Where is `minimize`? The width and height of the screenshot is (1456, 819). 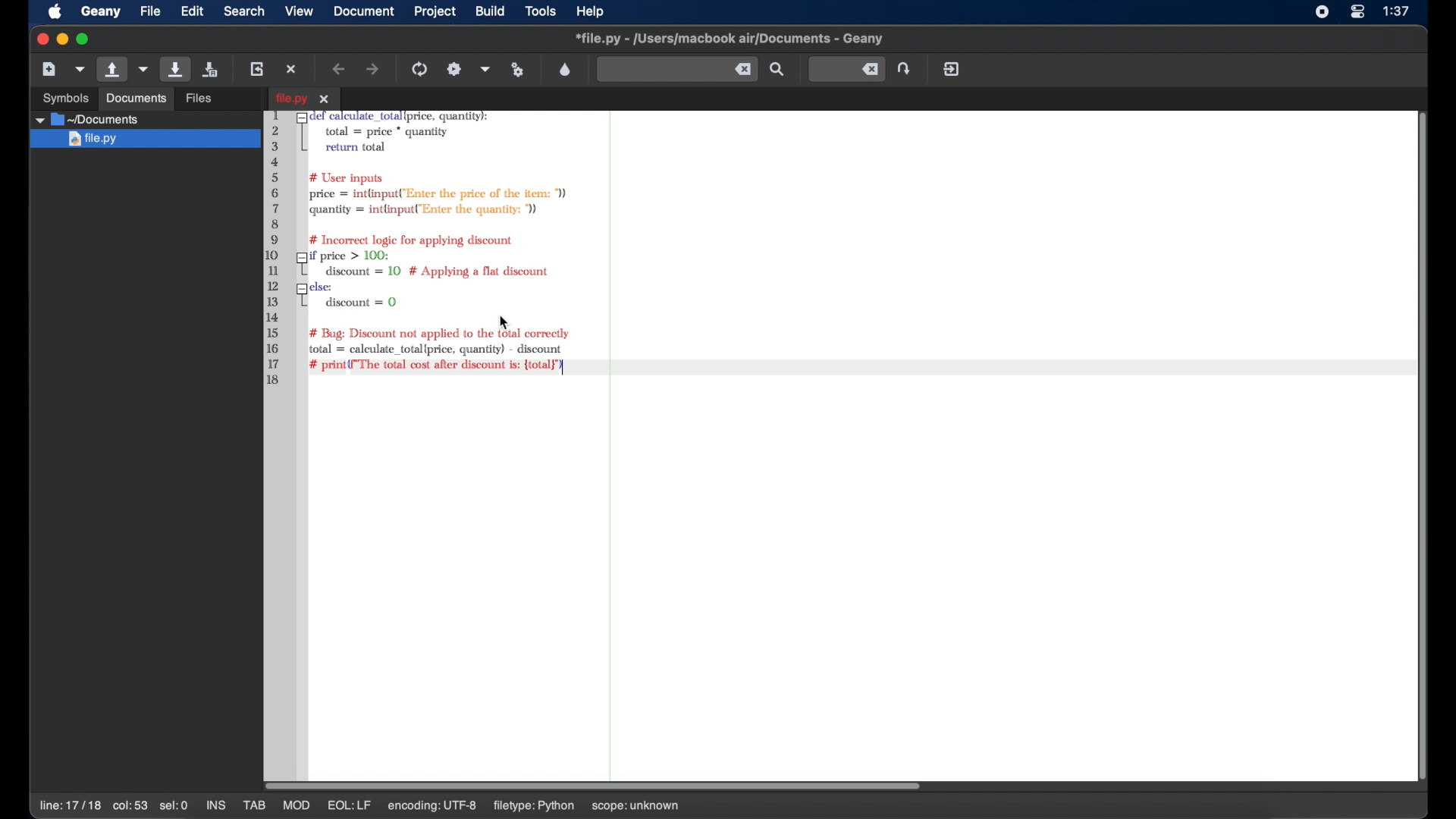 minimize is located at coordinates (62, 39).